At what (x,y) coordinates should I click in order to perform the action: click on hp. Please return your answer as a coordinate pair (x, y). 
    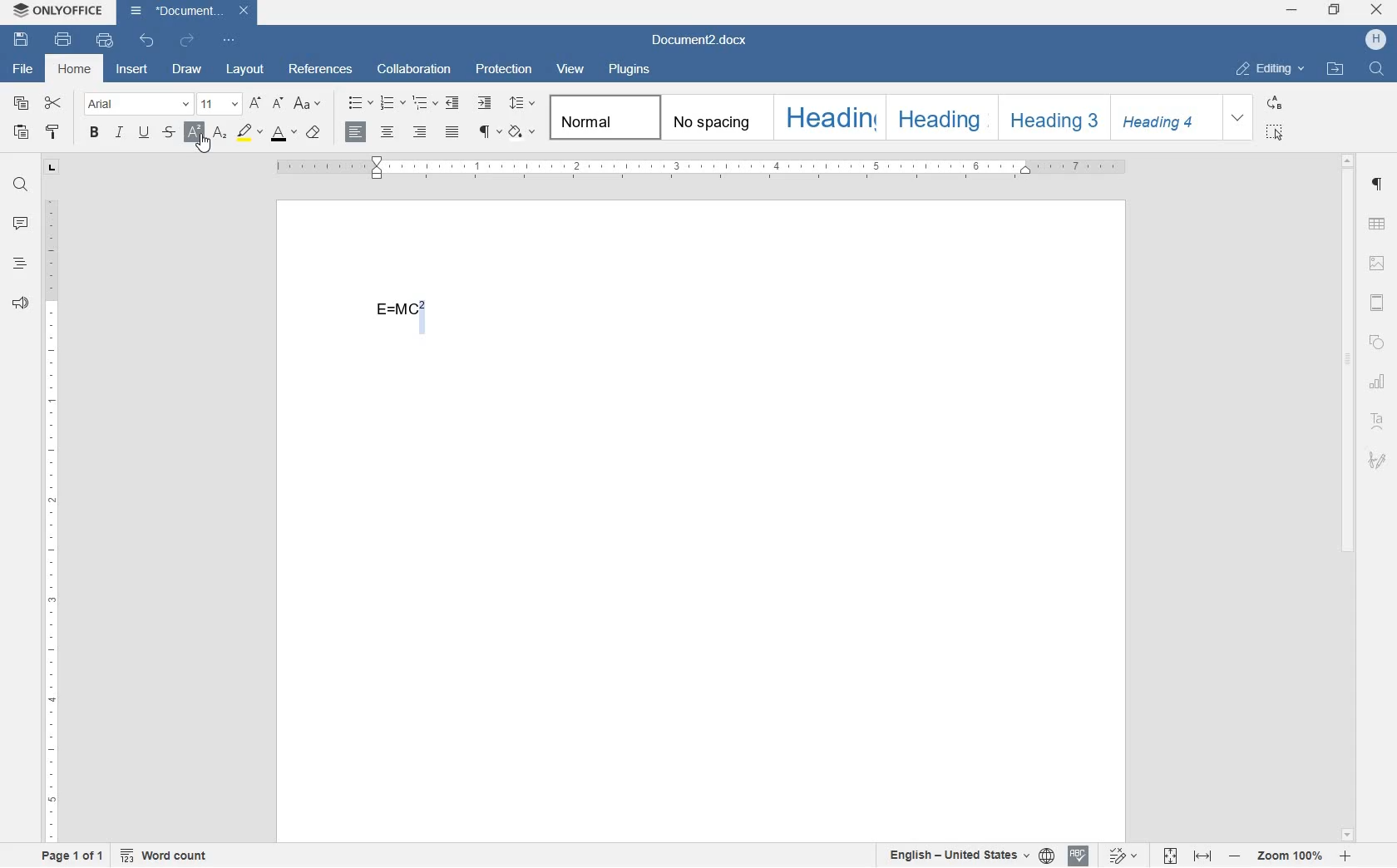
    Looking at the image, I should click on (1376, 40).